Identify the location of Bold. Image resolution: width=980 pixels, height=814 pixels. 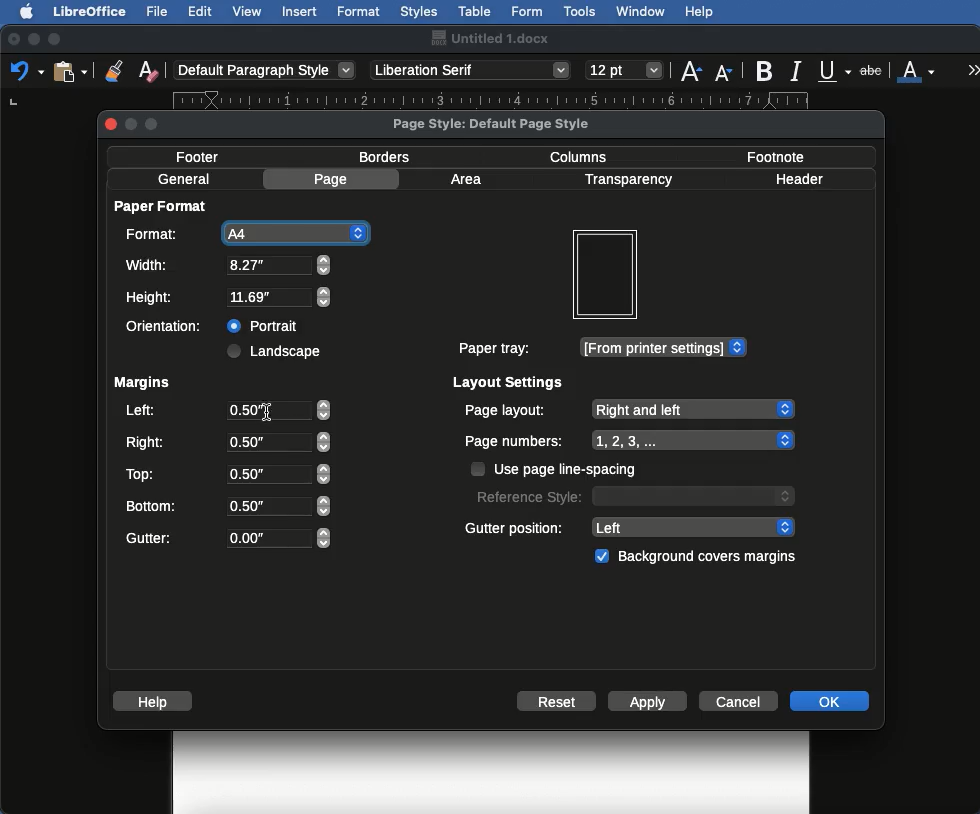
(766, 70).